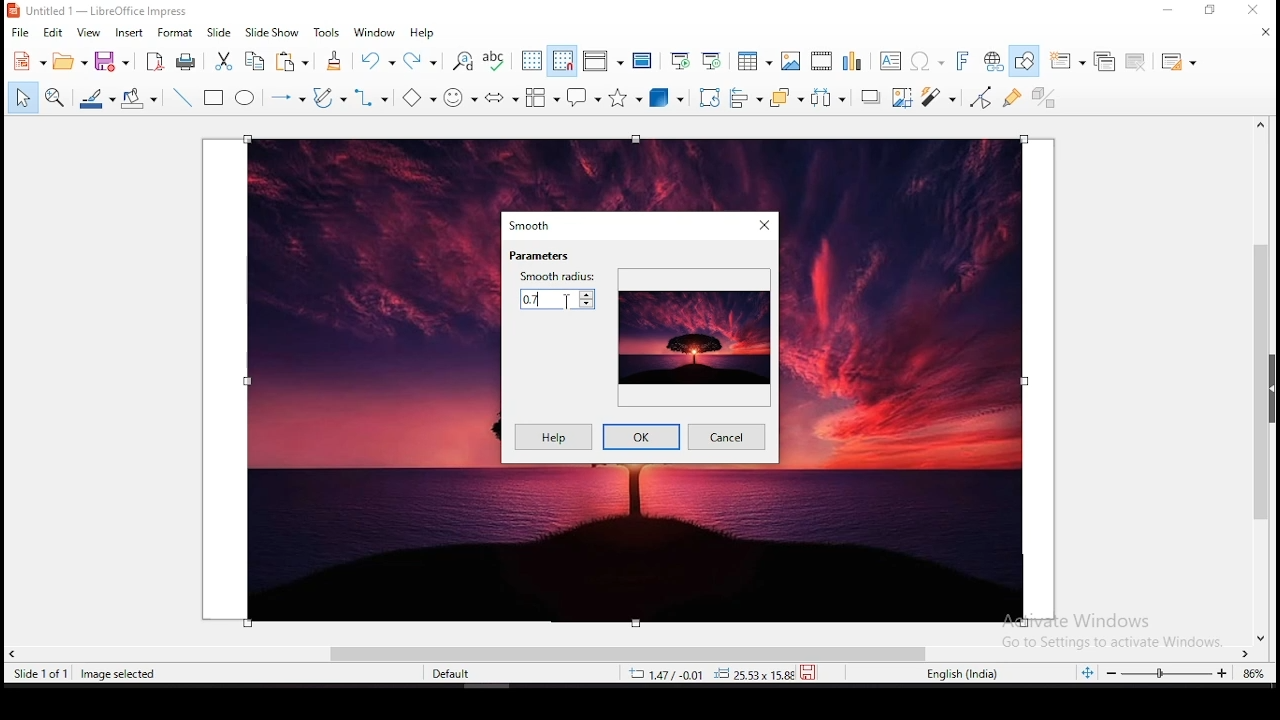  What do you see at coordinates (326, 32) in the screenshot?
I see `tools` at bounding box center [326, 32].